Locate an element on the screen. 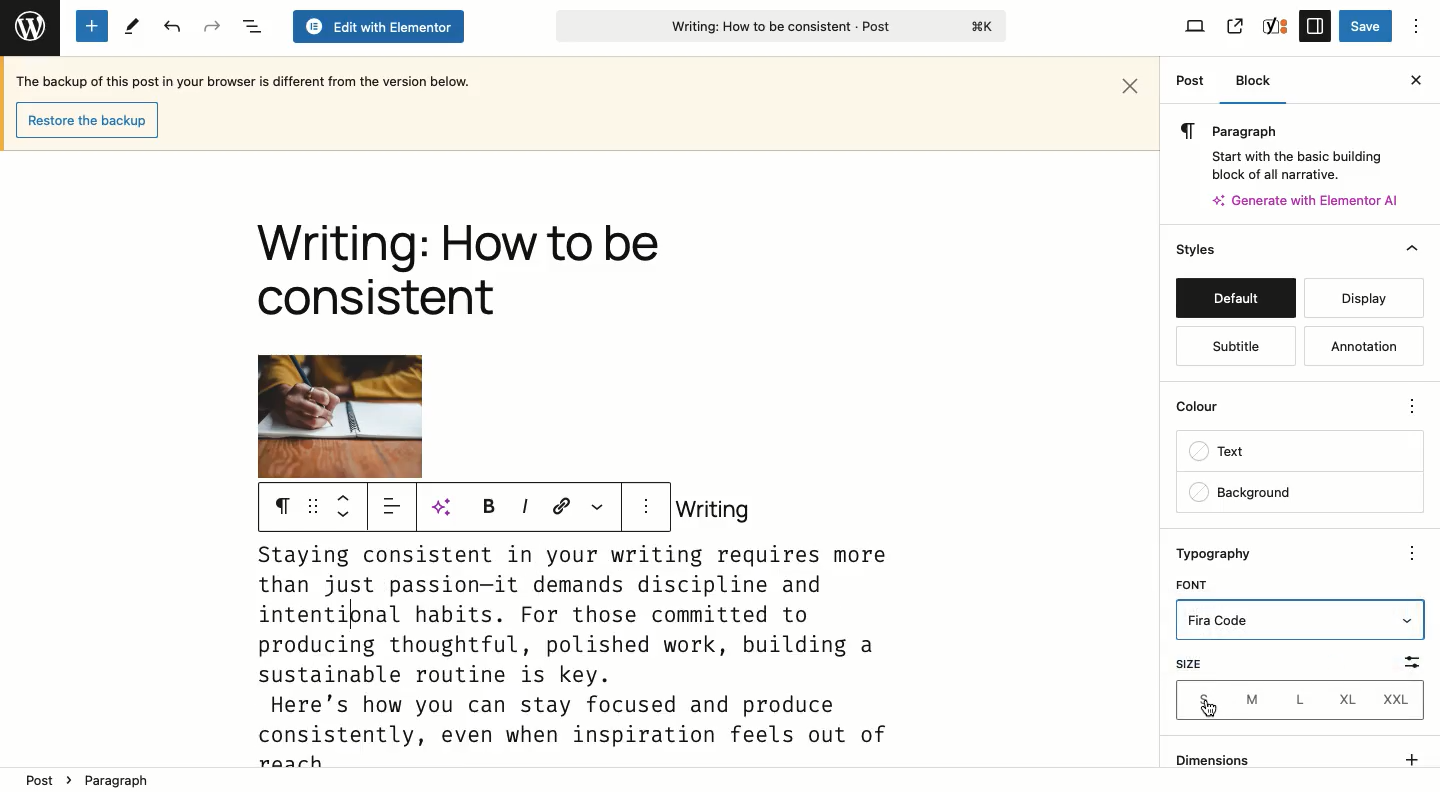 This screenshot has height=792, width=1440. Start with the basic building block of all  narrative. is located at coordinates (1295, 162).